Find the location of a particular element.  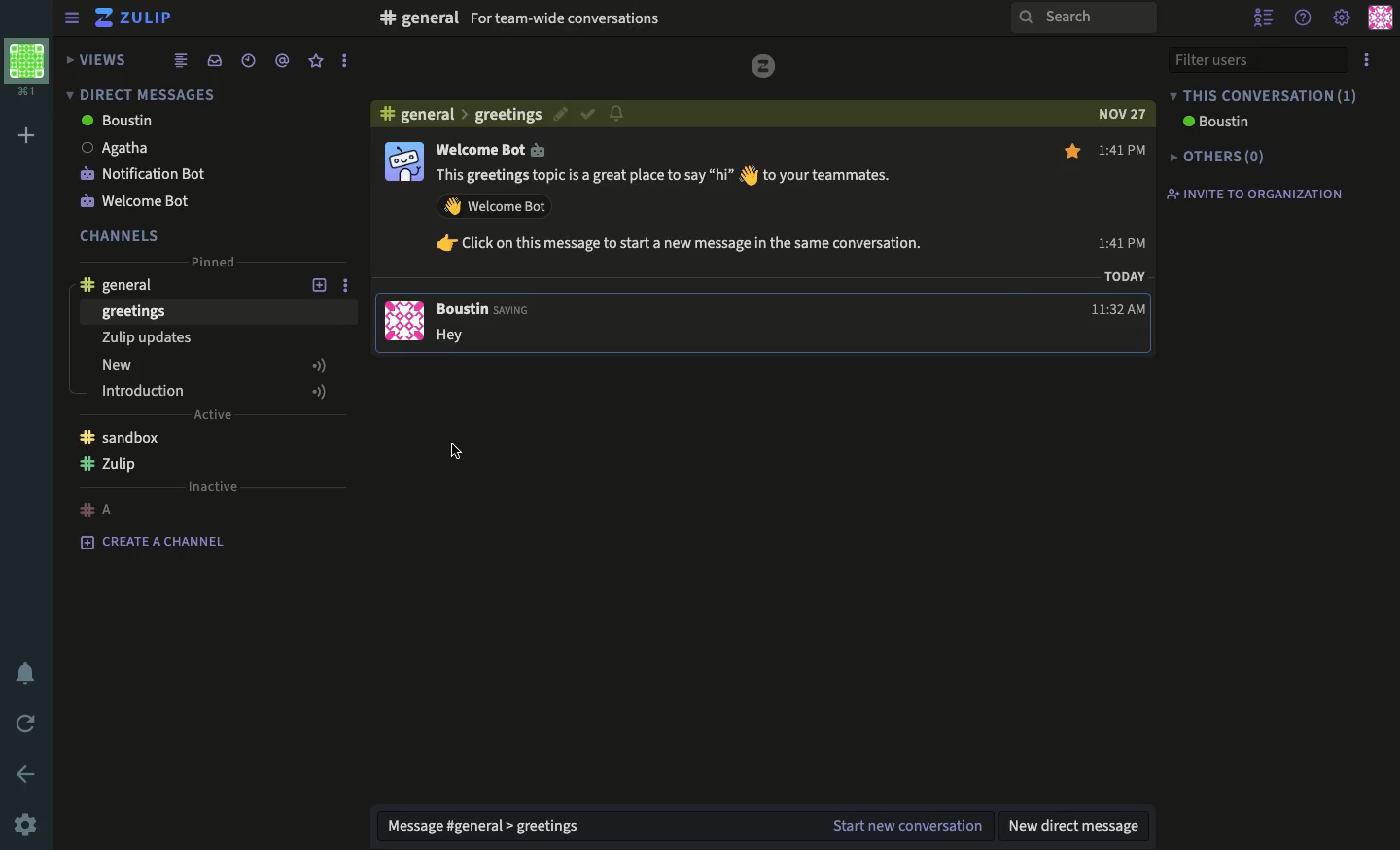

sidebar is located at coordinates (68, 18).